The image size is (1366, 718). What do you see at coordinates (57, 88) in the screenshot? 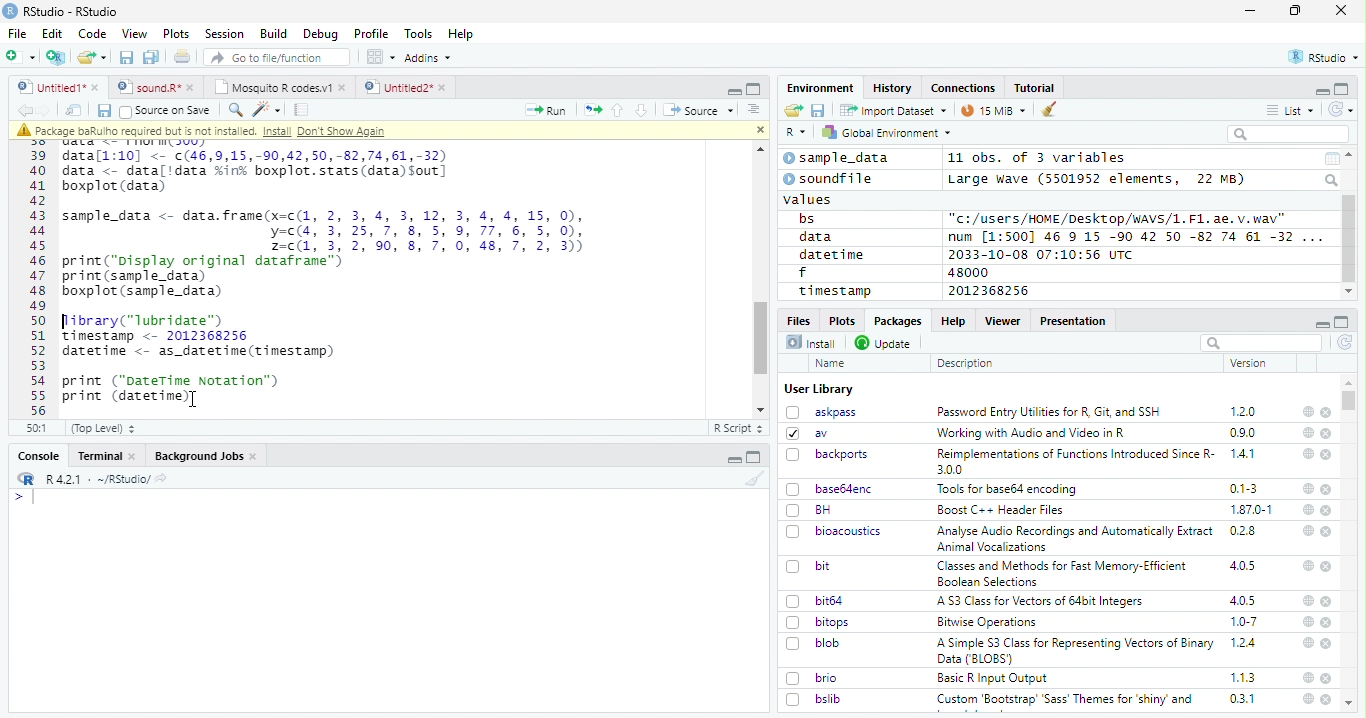
I see `Untitled1*` at bounding box center [57, 88].